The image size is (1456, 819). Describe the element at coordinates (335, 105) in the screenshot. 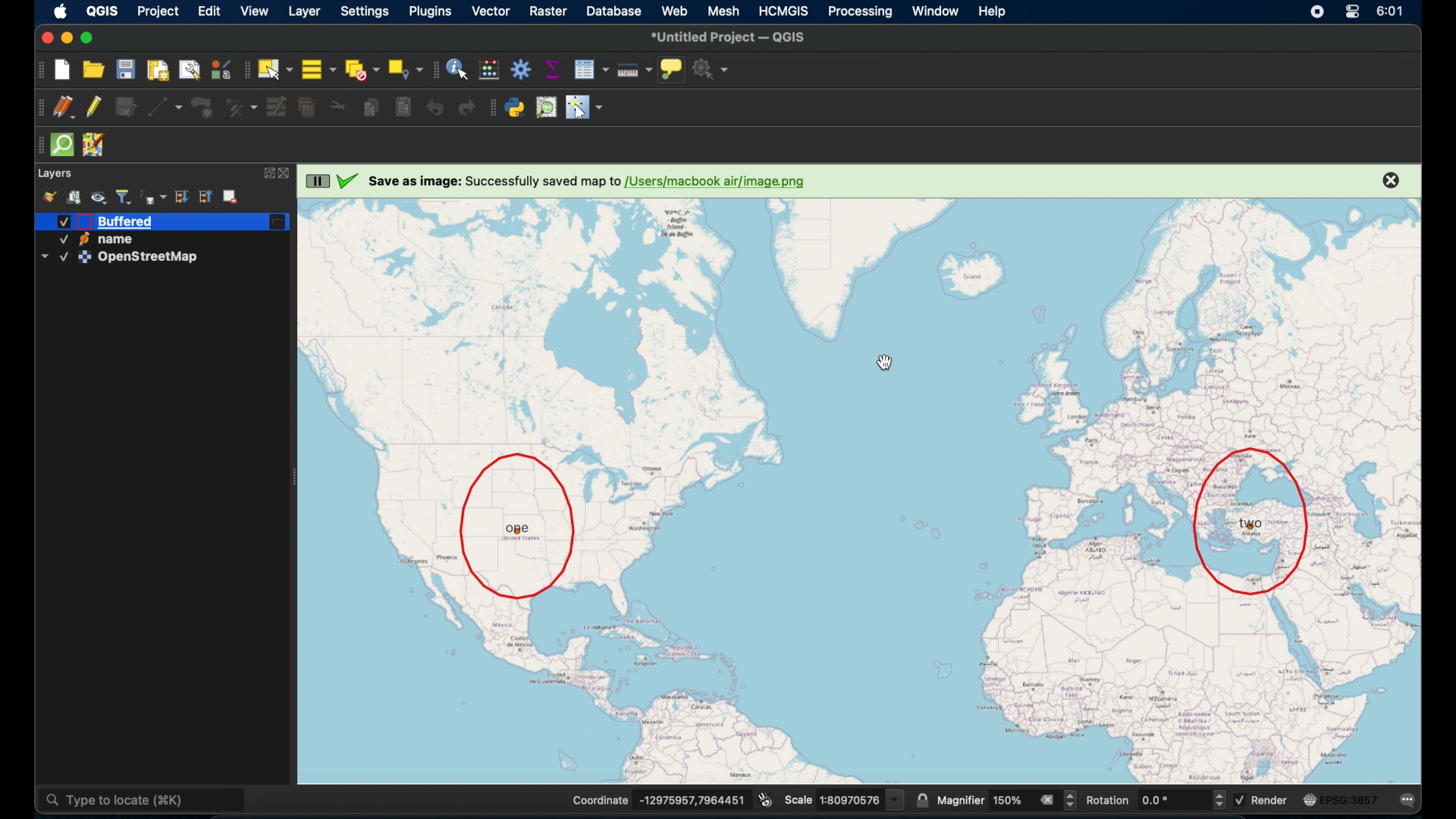

I see `cut features` at that location.